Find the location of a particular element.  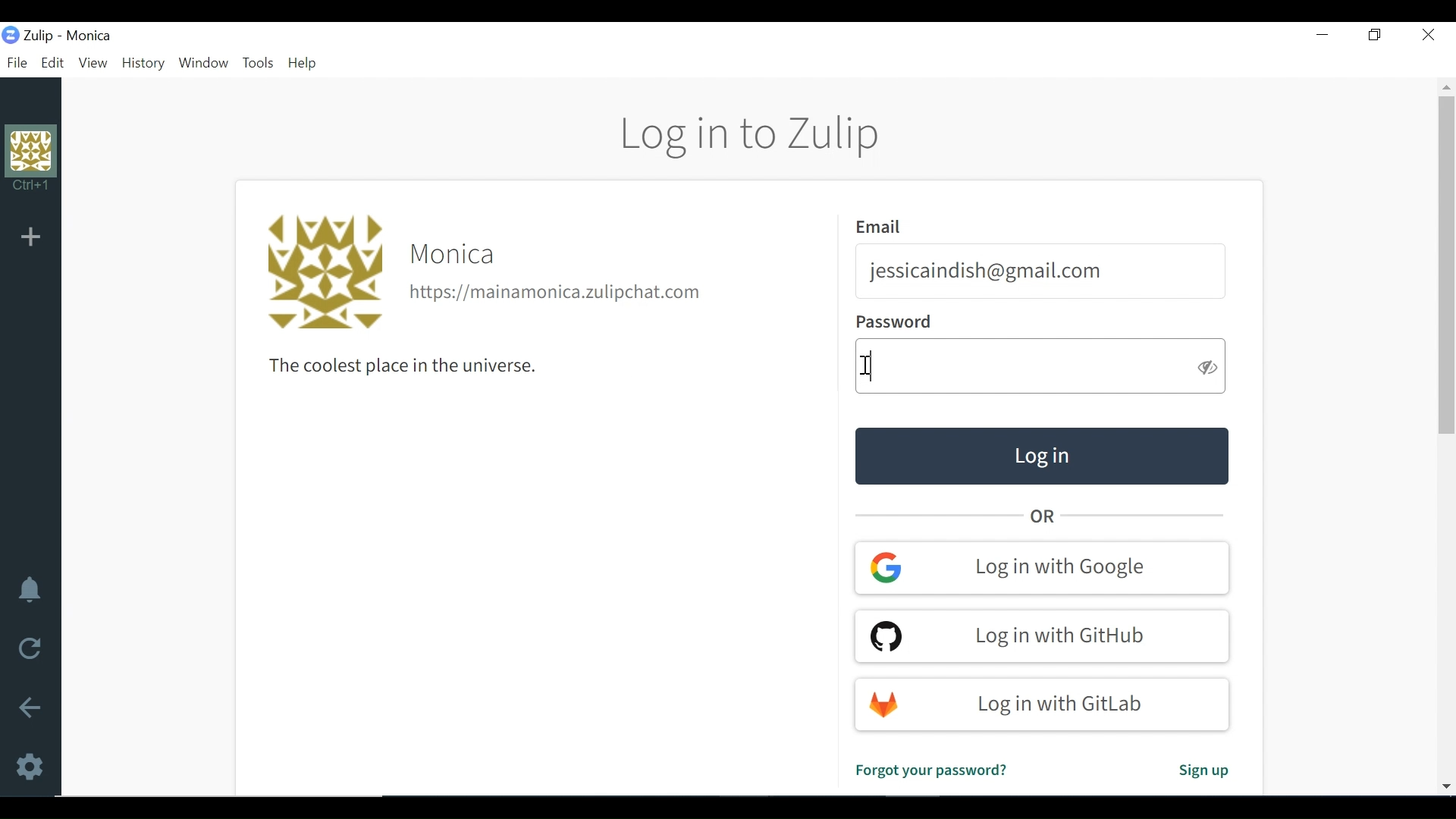

Add Organisation is located at coordinates (30, 237).